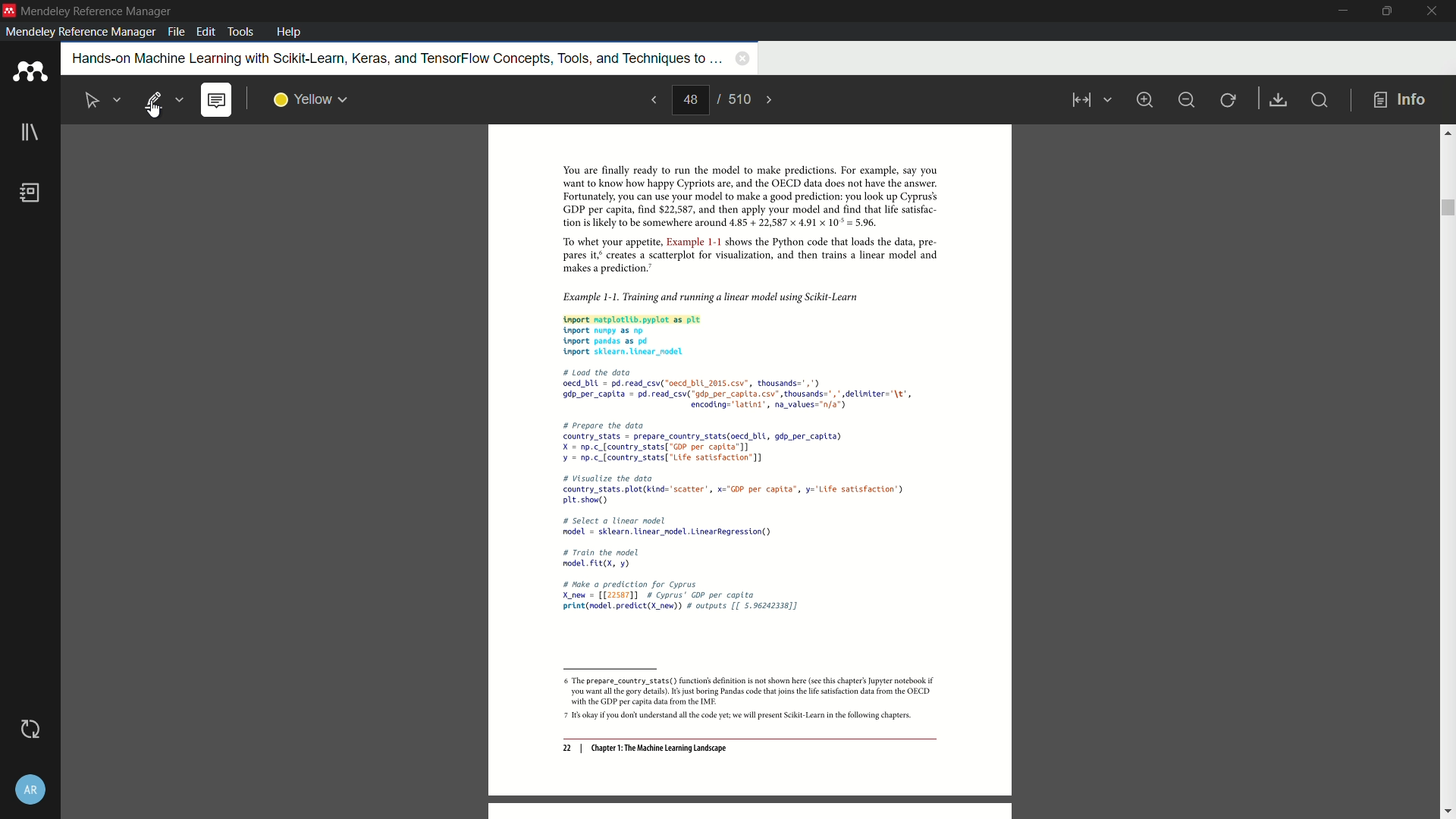 The width and height of the screenshot is (1456, 819). I want to click on select, so click(102, 98).